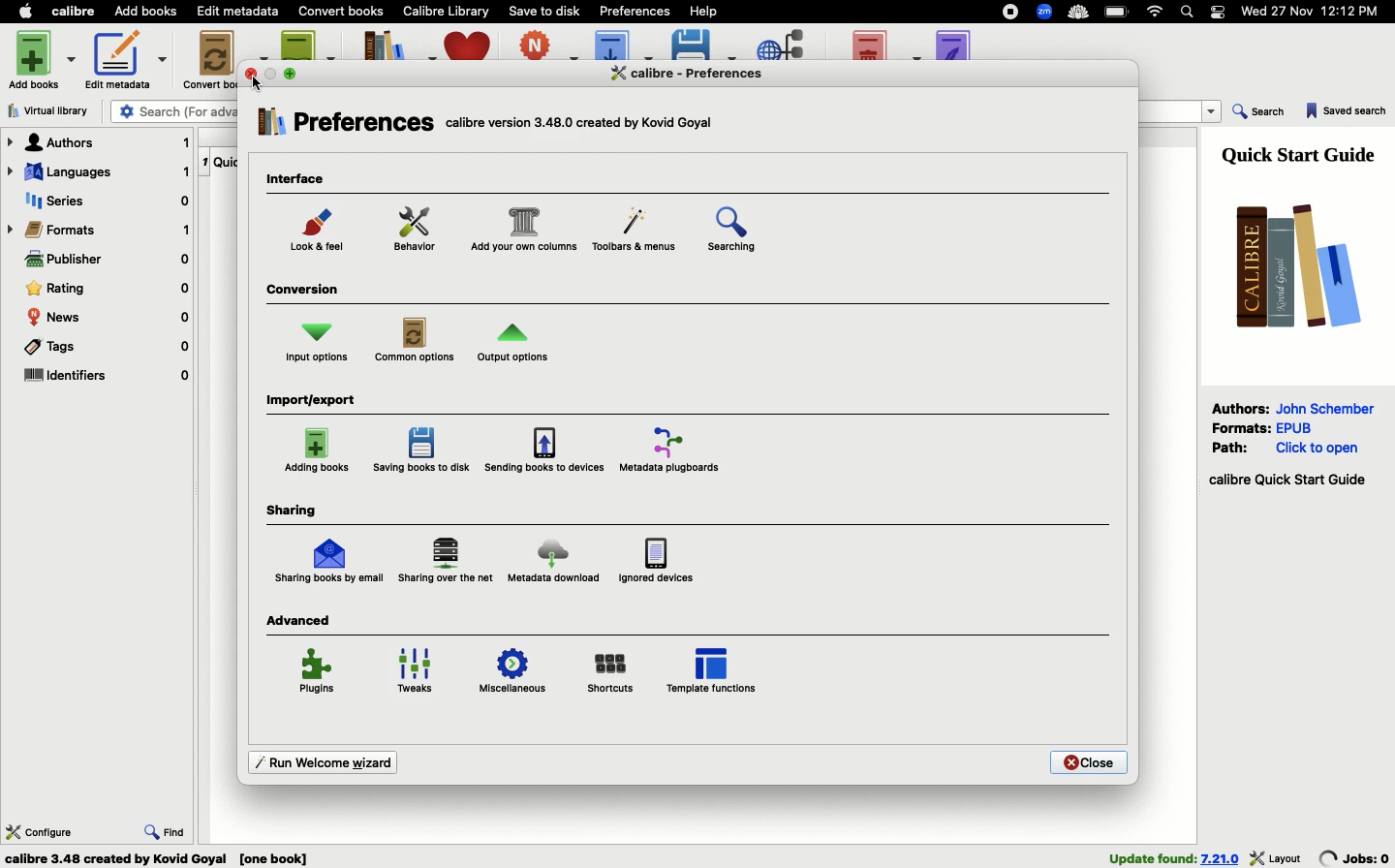 The height and width of the screenshot is (868, 1395). I want to click on found, so click(1152, 857).